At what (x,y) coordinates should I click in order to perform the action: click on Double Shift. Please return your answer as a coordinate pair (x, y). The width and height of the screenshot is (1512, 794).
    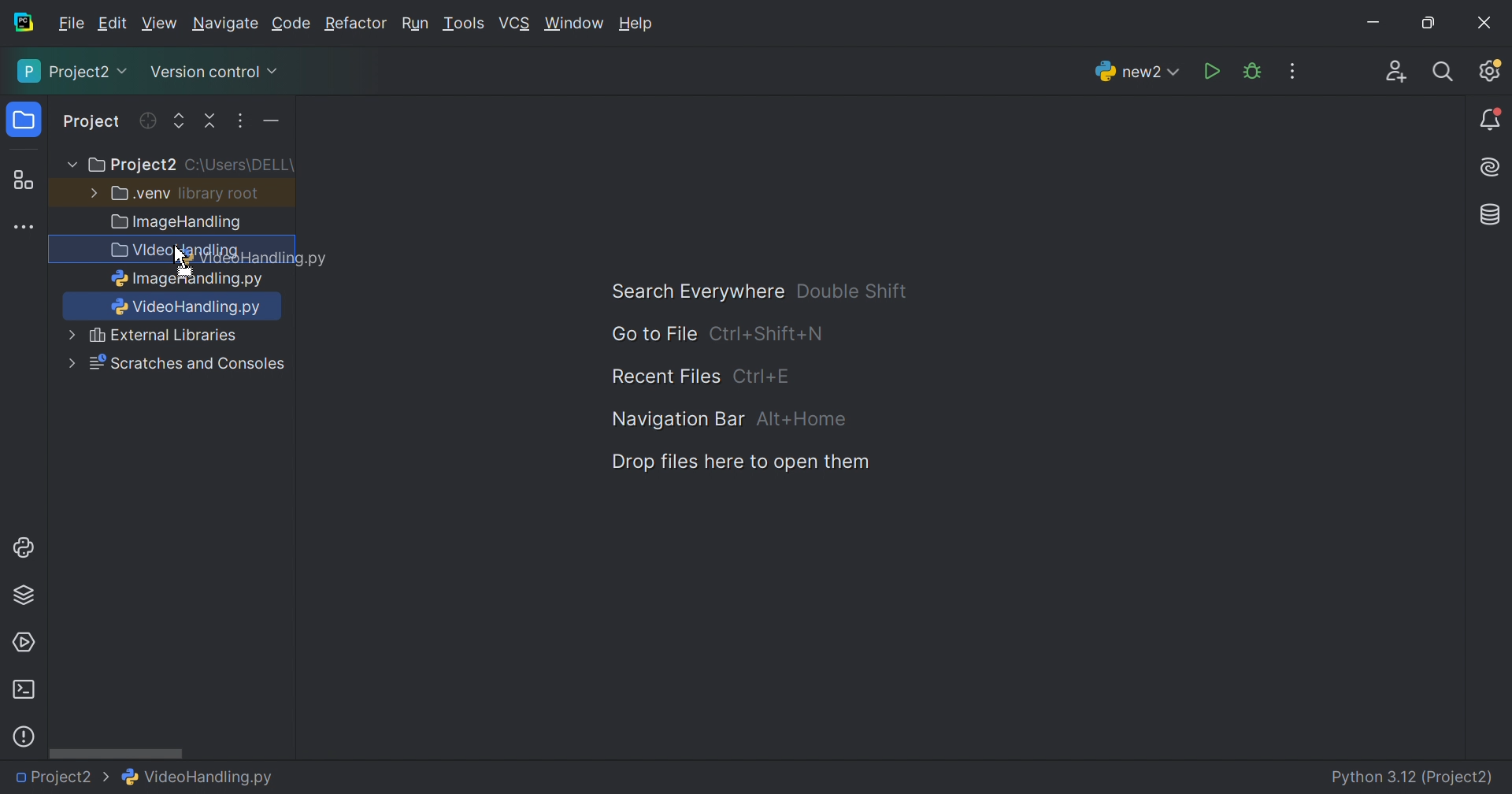
    Looking at the image, I should click on (851, 291).